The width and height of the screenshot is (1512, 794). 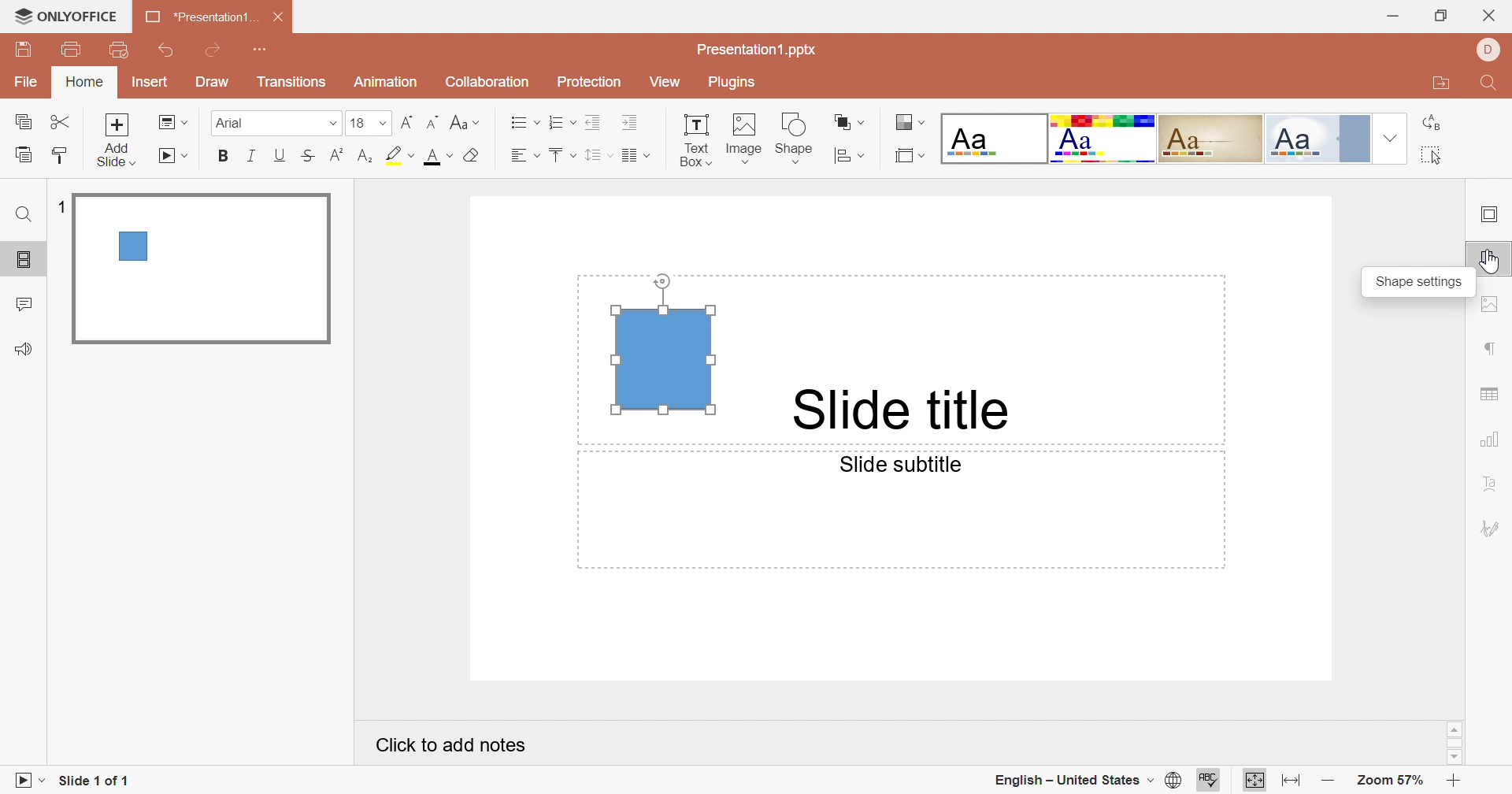 What do you see at coordinates (1455, 744) in the screenshot?
I see `Scroll bar` at bounding box center [1455, 744].